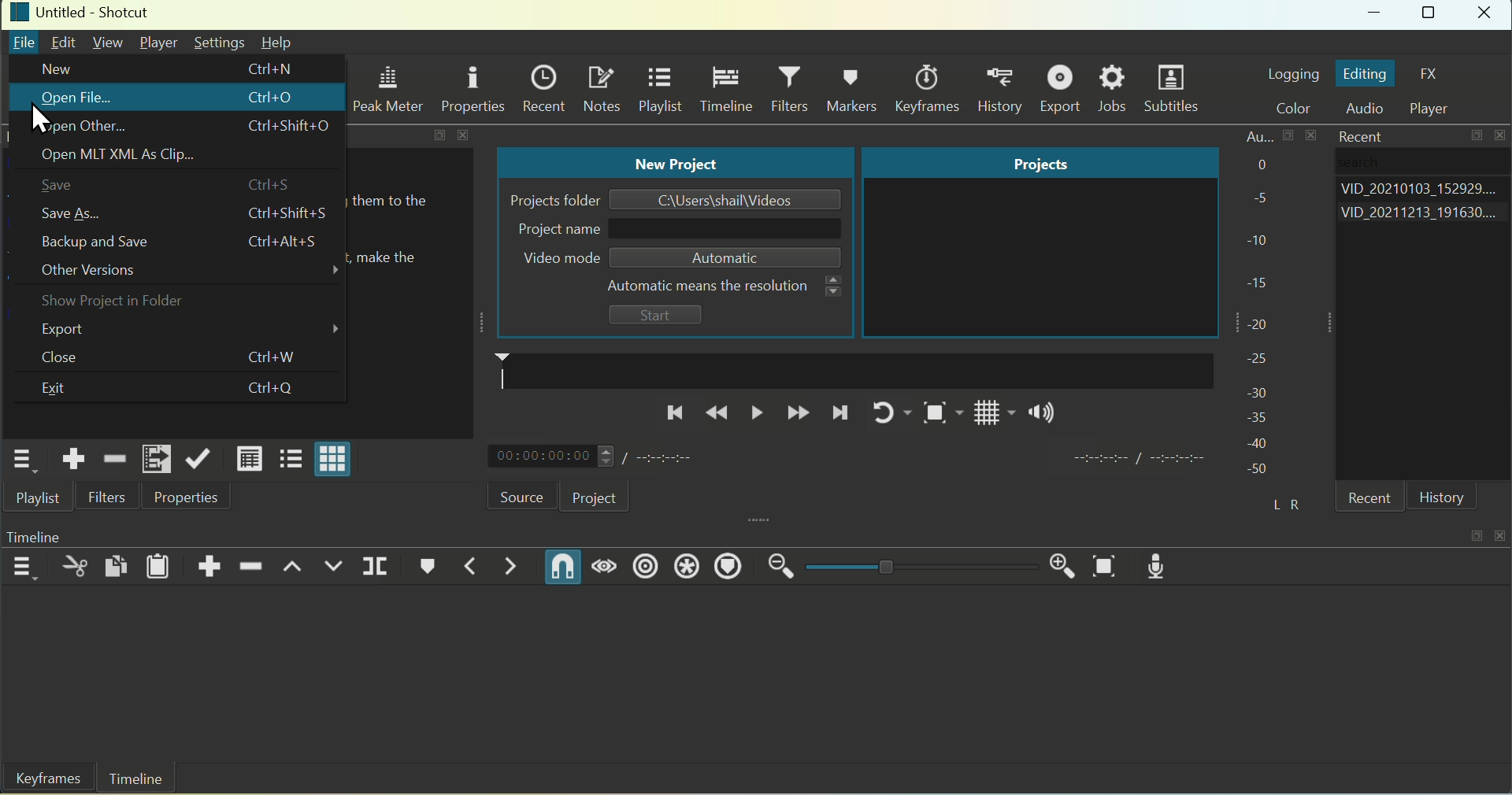 The width and height of the screenshot is (1512, 795). What do you see at coordinates (161, 43) in the screenshot?
I see `Player` at bounding box center [161, 43].